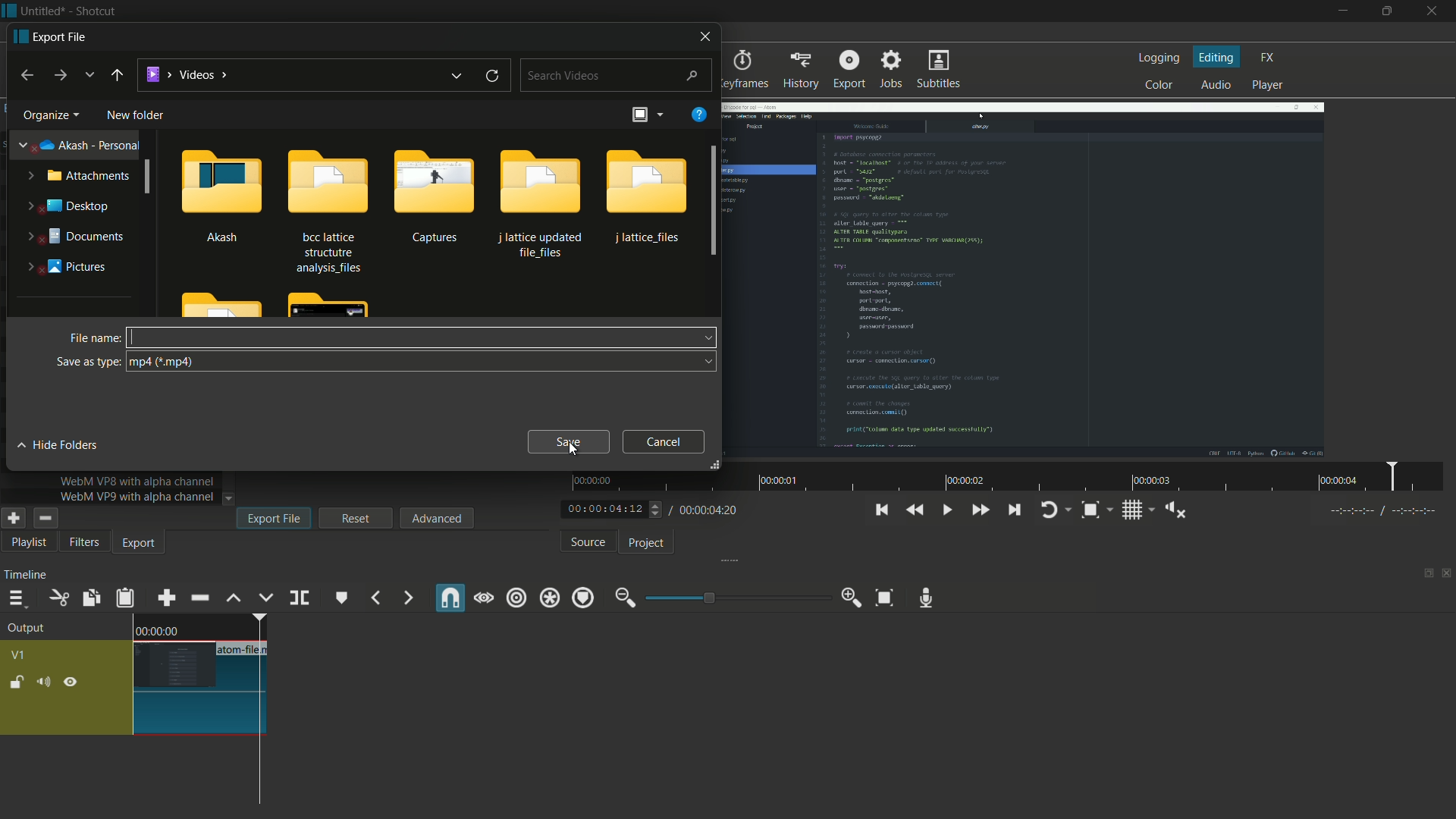  What do you see at coordinates (1175, 511) in the screenshot?
I see `show volume control` at bounding box center [1175, 511].